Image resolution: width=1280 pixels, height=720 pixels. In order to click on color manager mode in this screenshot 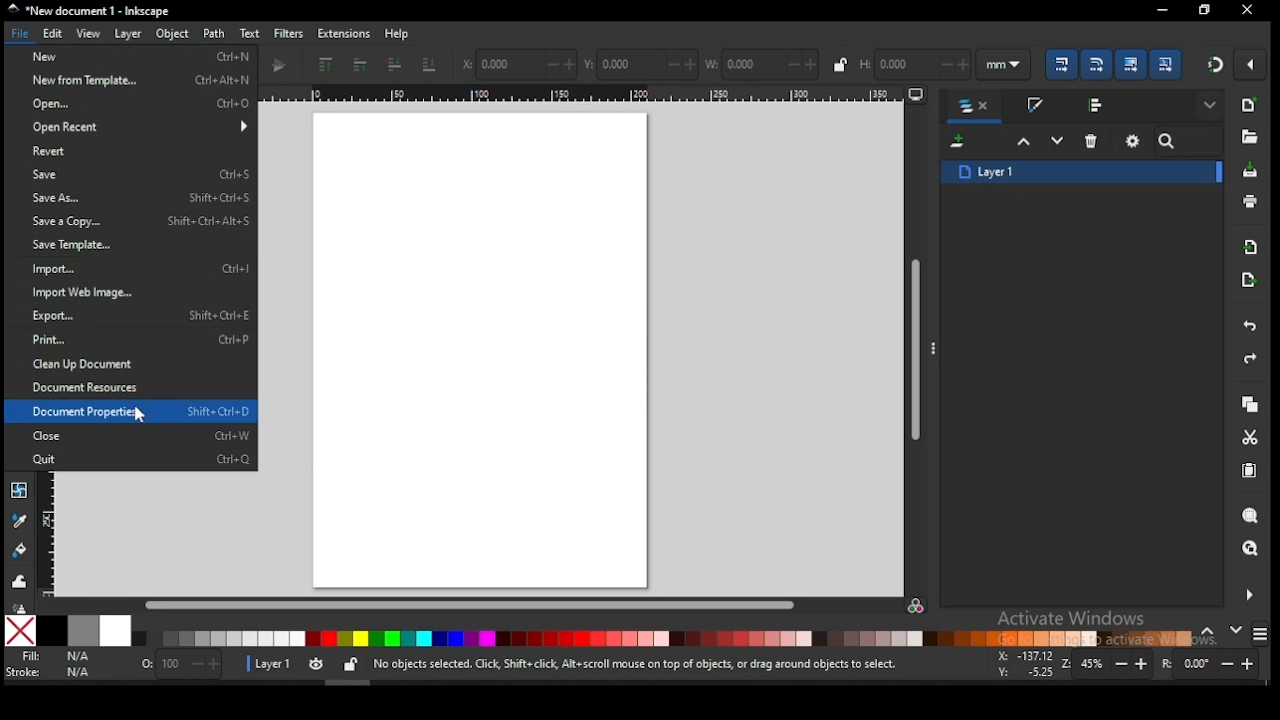, I will do `click(917, 607)`.